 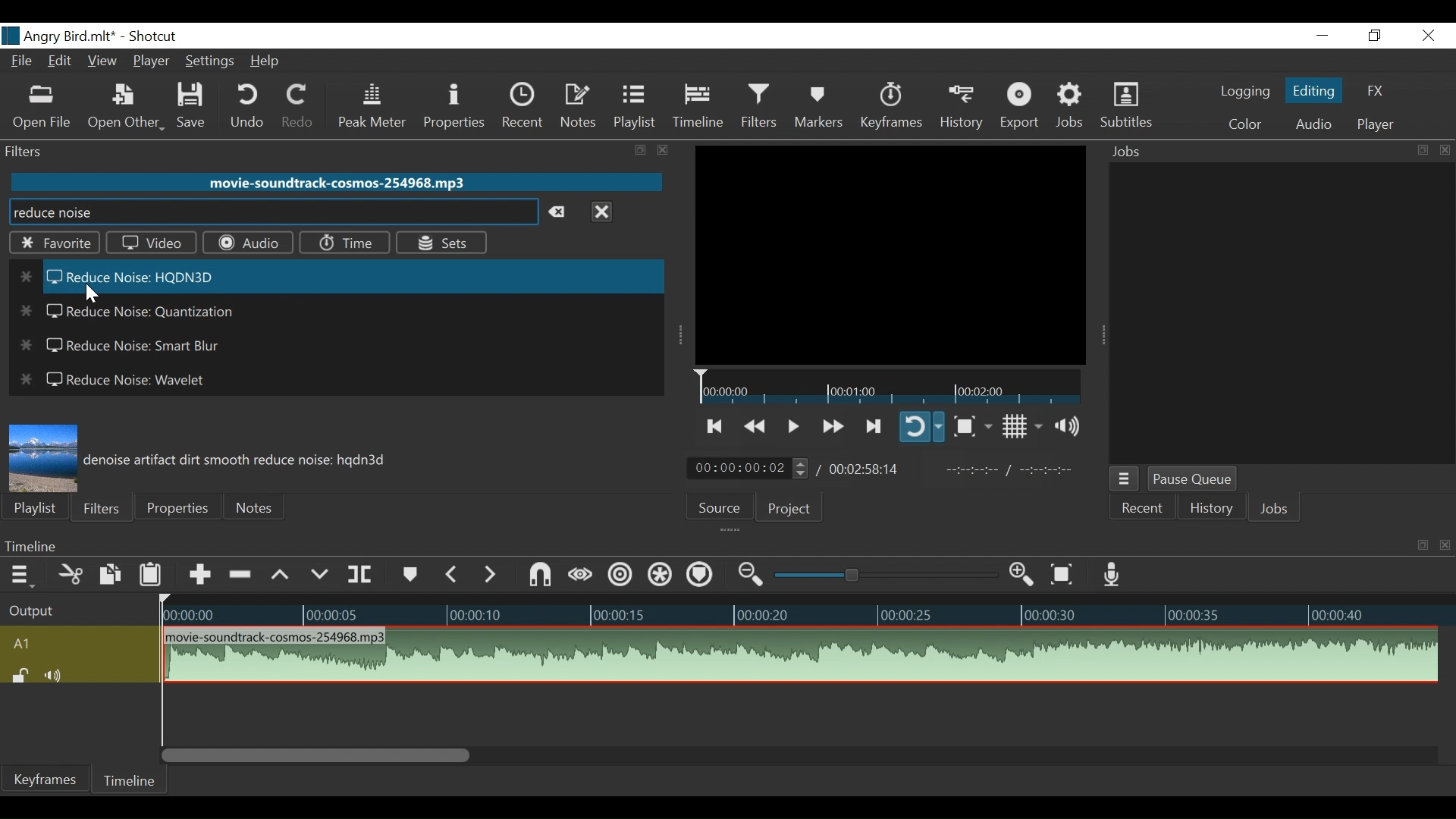 I want to click on Play quickly backward, so click(x=754, y=424).